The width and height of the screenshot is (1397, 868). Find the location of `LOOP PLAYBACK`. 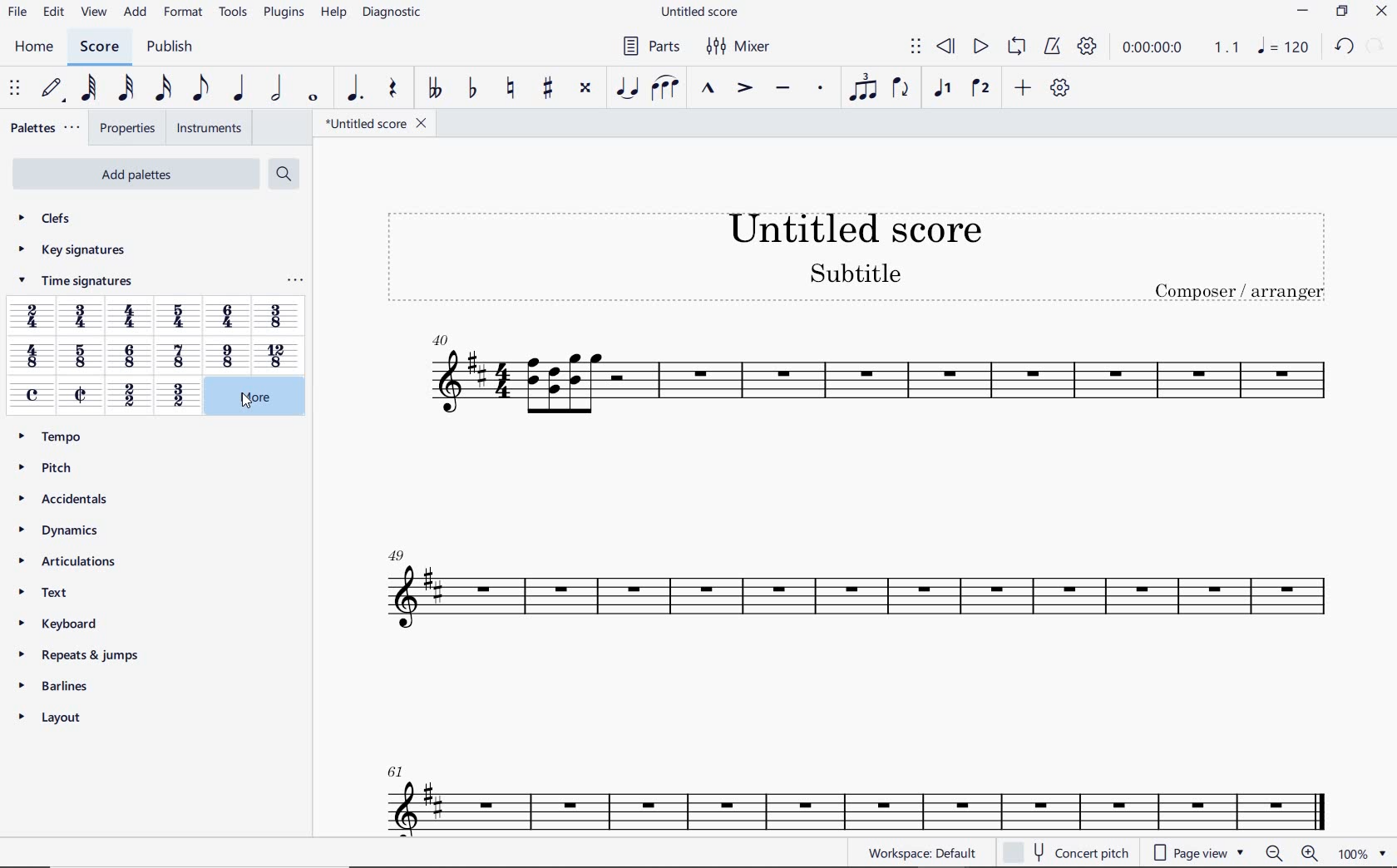

LOOP PLAYBACK is located at coordinates (1015, 47).